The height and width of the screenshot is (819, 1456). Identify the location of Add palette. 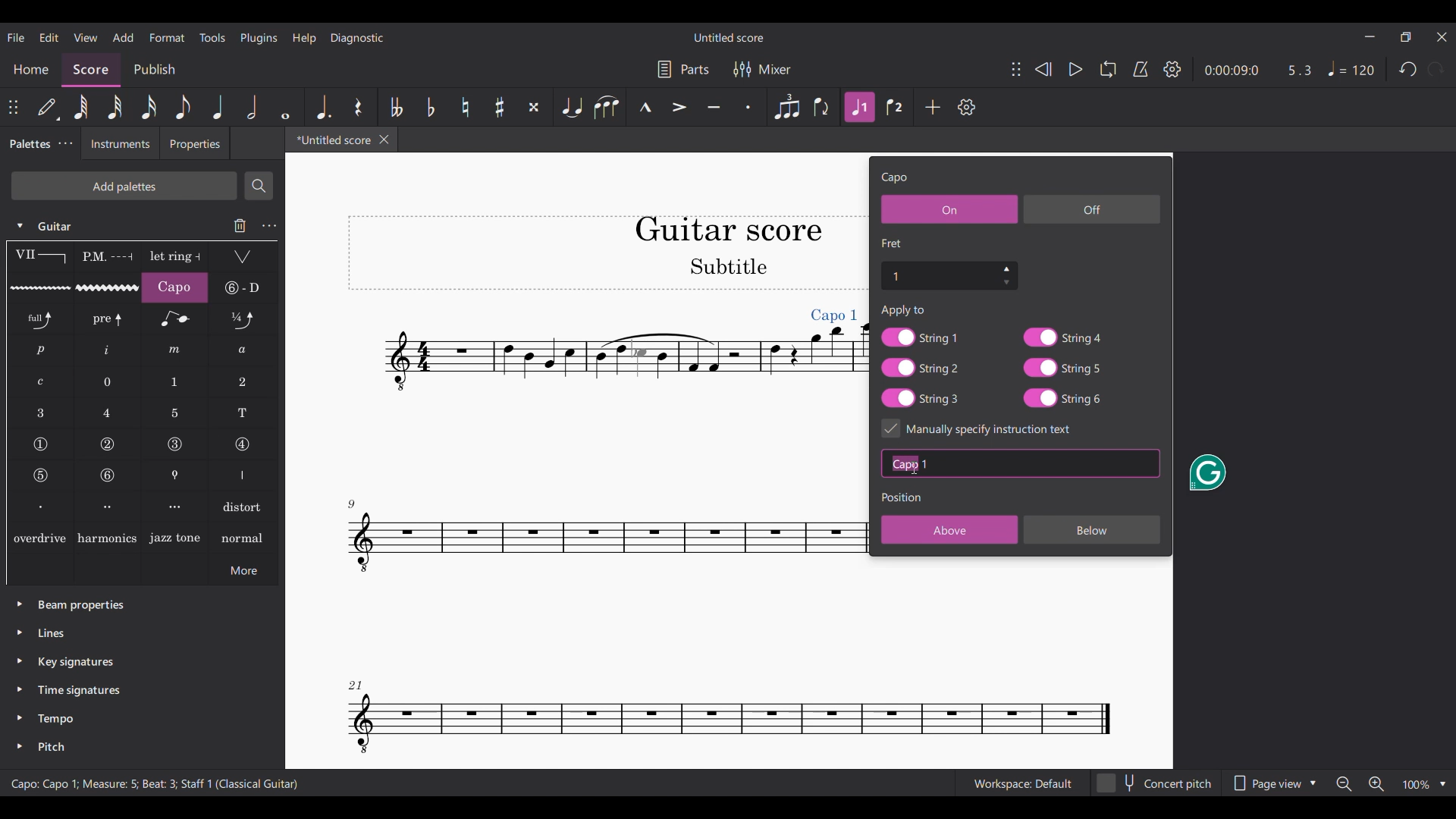
(124, 186).